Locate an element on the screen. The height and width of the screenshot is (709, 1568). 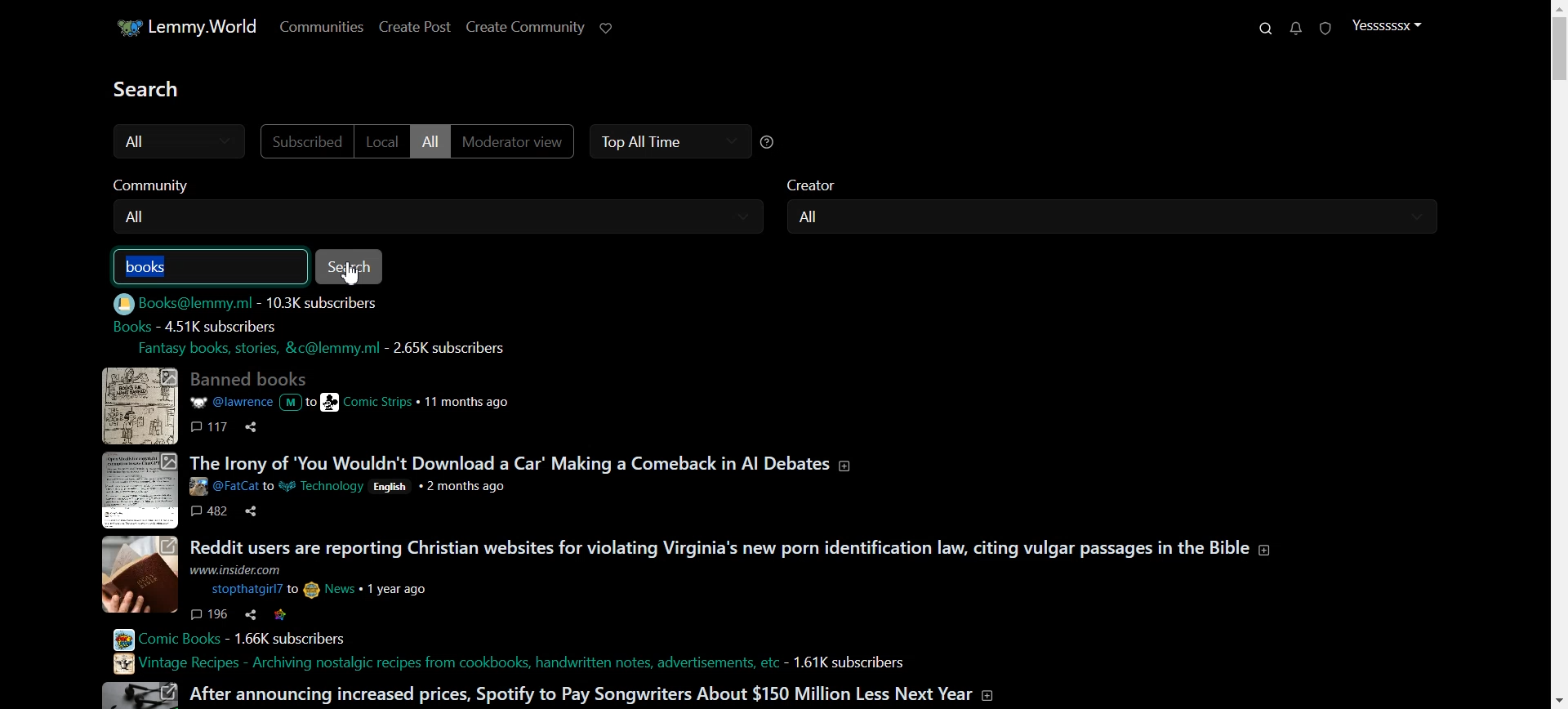
link is located at coordinates (442, 664).